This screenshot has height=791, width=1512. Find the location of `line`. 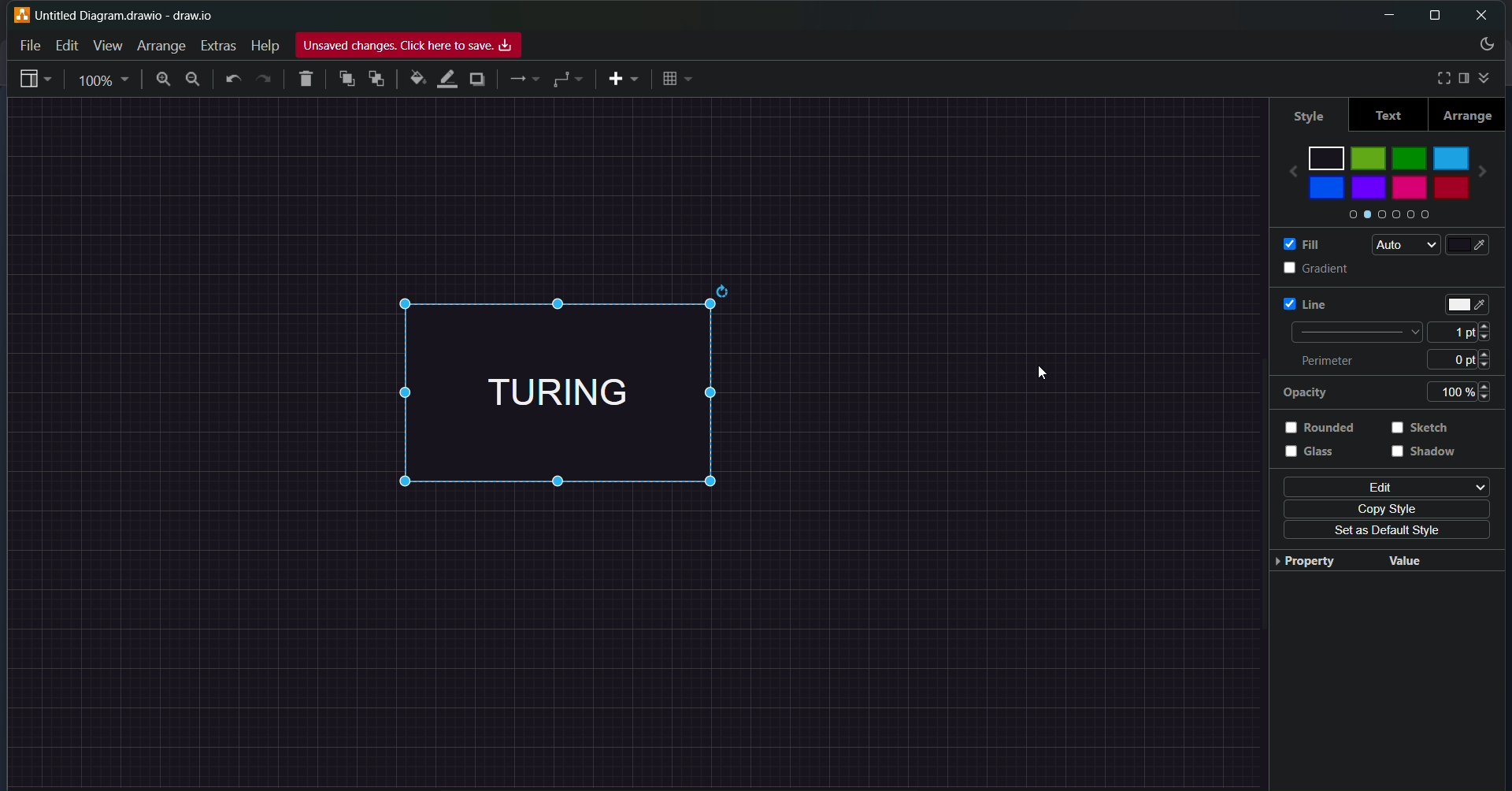

line is located at coordinates (1296, 302).